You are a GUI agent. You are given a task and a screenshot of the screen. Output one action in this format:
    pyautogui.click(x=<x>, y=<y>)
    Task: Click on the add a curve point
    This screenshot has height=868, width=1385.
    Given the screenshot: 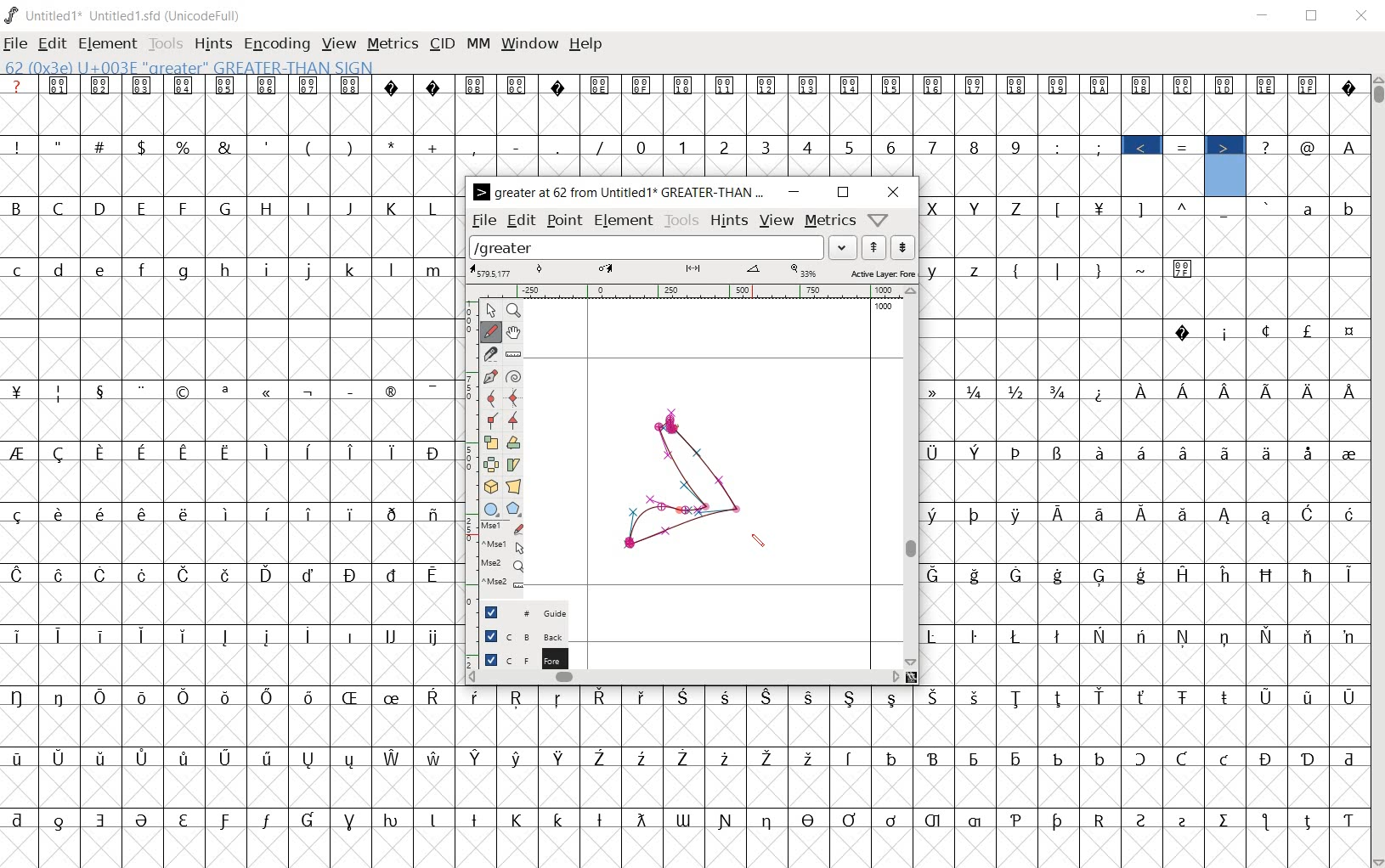 What is the action you would take?
    pyautogui.click(x=491, y=397)
    